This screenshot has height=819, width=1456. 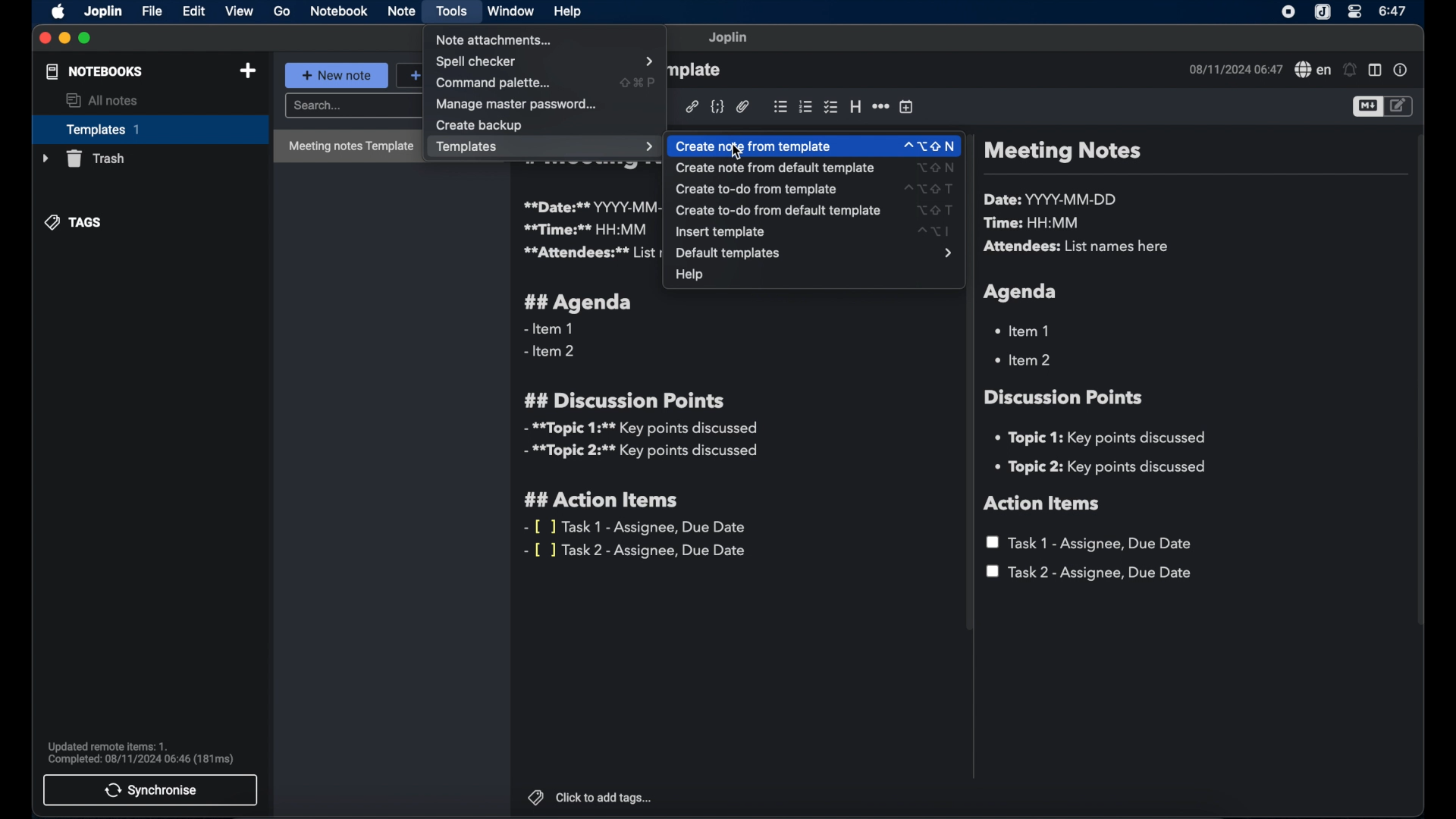 I want to click on - [ ] task 2 - assignee, due date, so click(x=638, y=551).